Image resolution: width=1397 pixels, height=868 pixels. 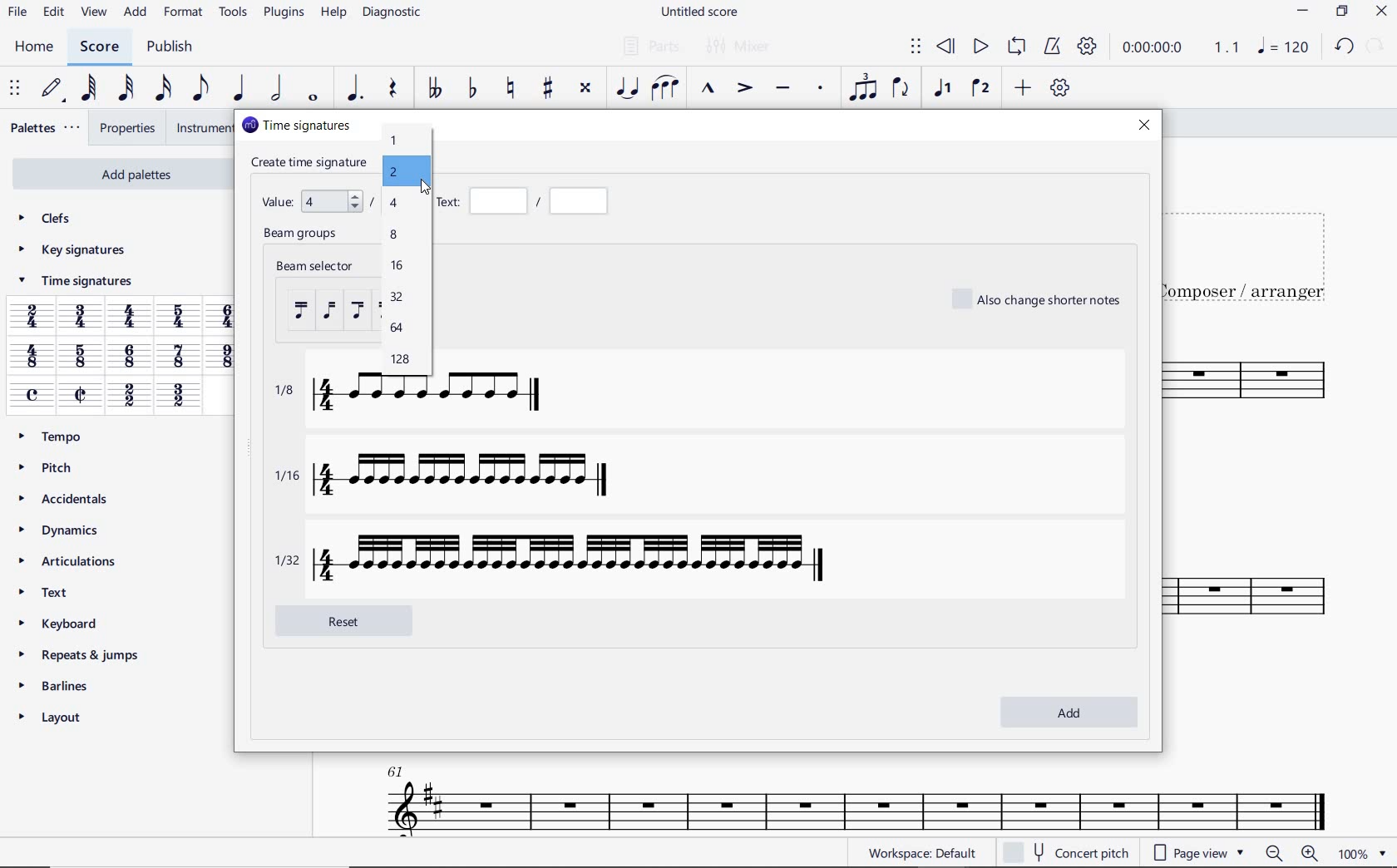 What do you see at coordinates (822, 90) in the screenshot?
I see `STACCATO` at bounding box center [822, 90].